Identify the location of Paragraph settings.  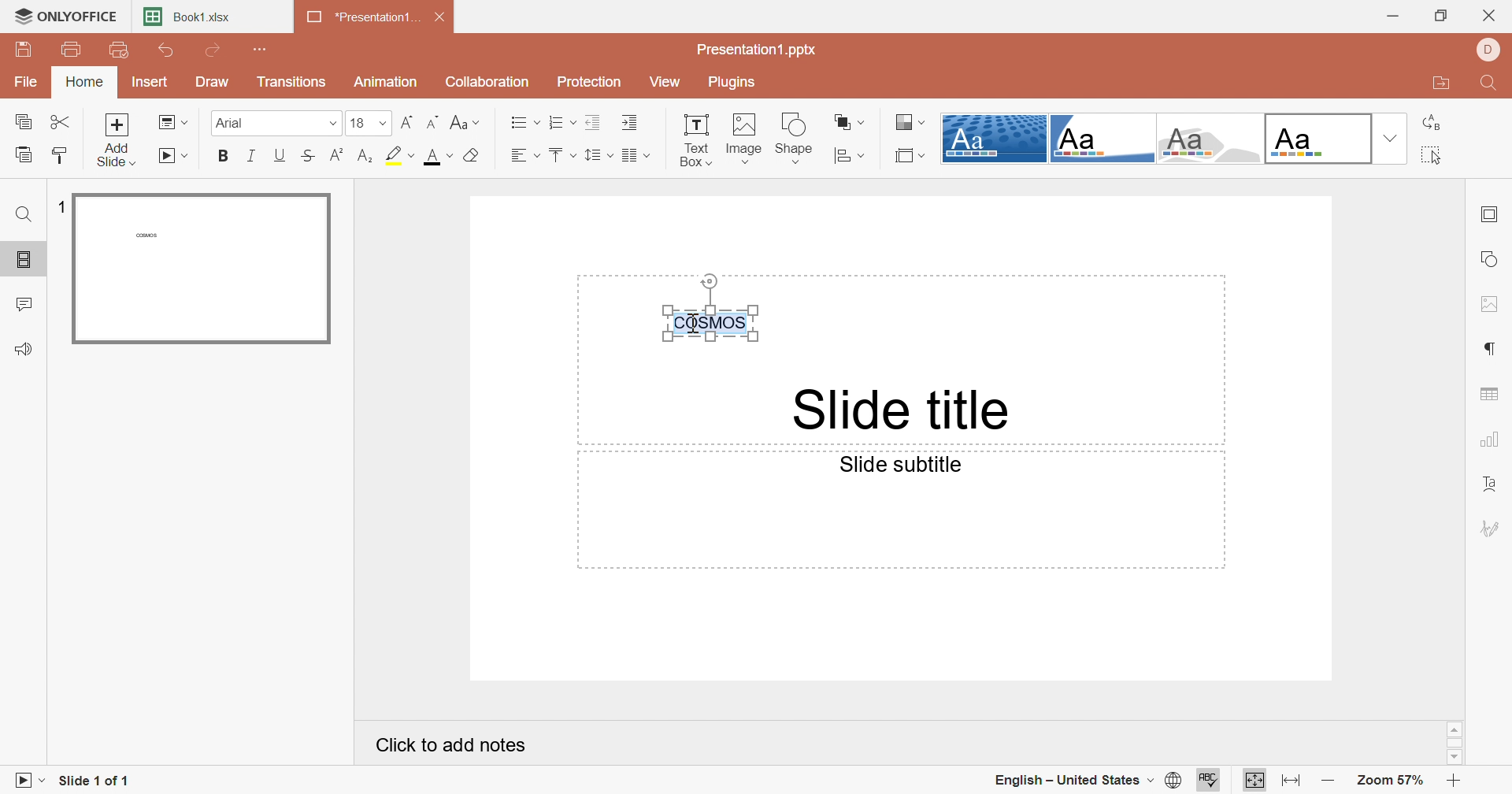
(1493, 351).